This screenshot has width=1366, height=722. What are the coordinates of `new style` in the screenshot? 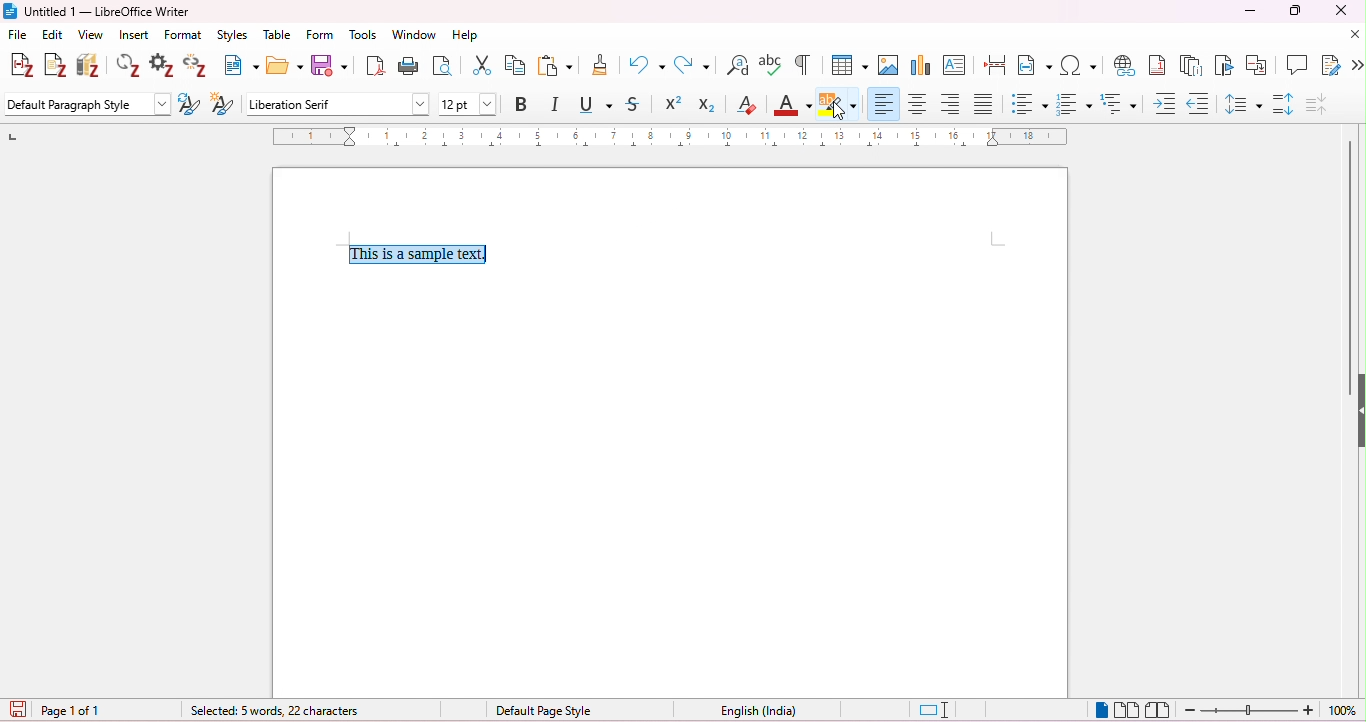 It's located at (224, 105).